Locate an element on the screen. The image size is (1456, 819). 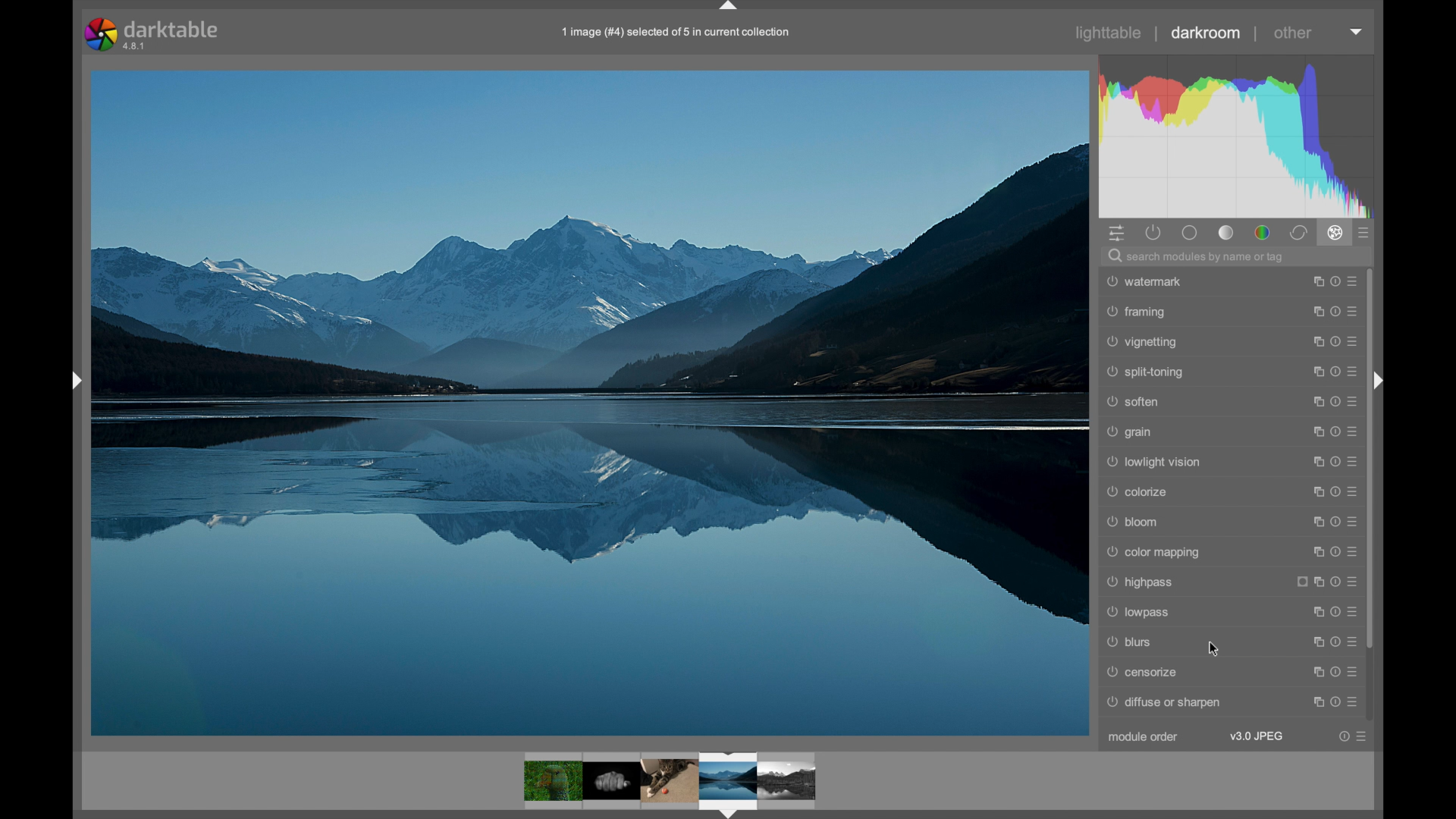
censorize is located at coordinates (1144, 672).